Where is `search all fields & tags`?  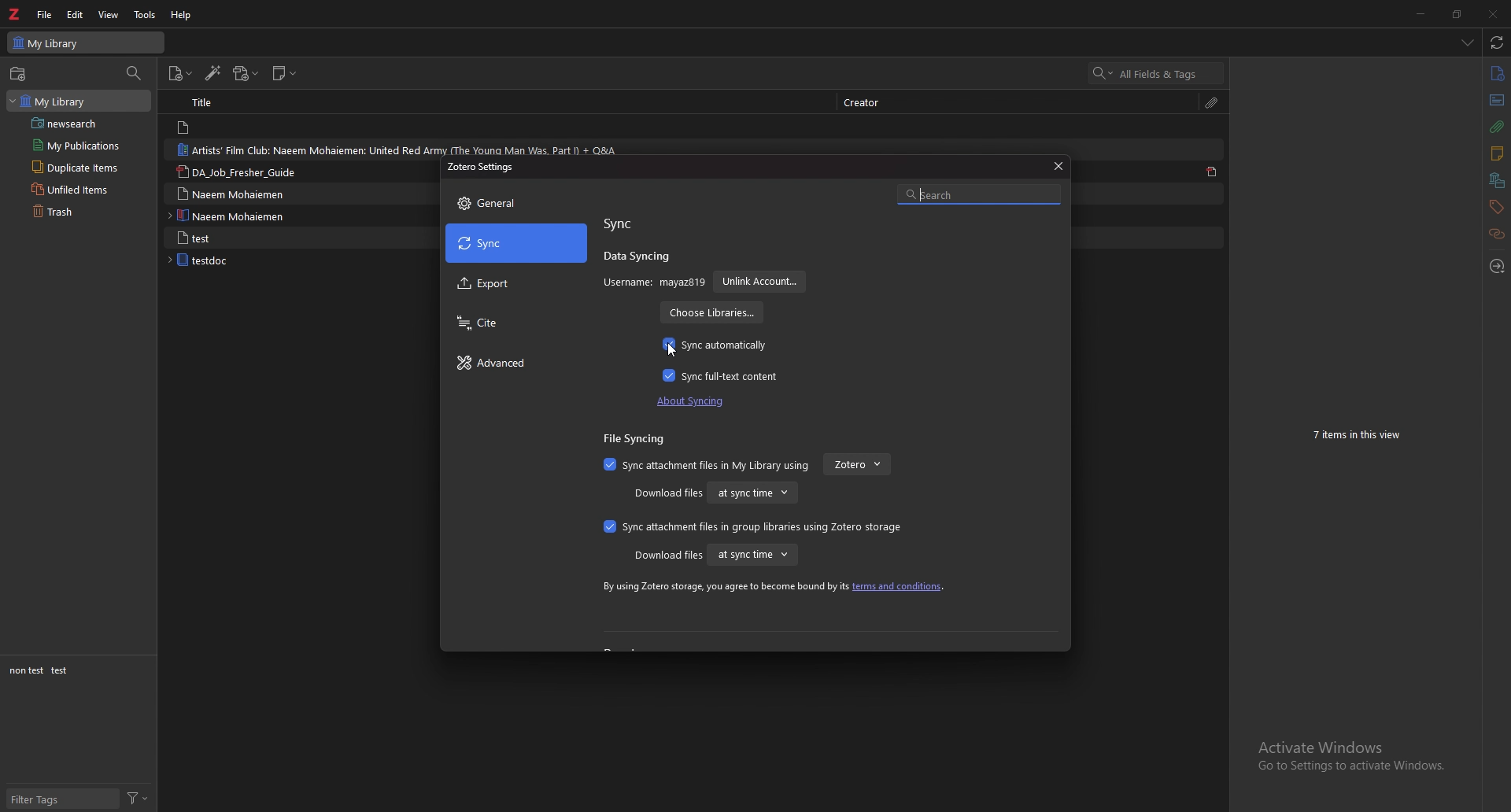
search all fields & tags is located at coordinates (1157, 73).